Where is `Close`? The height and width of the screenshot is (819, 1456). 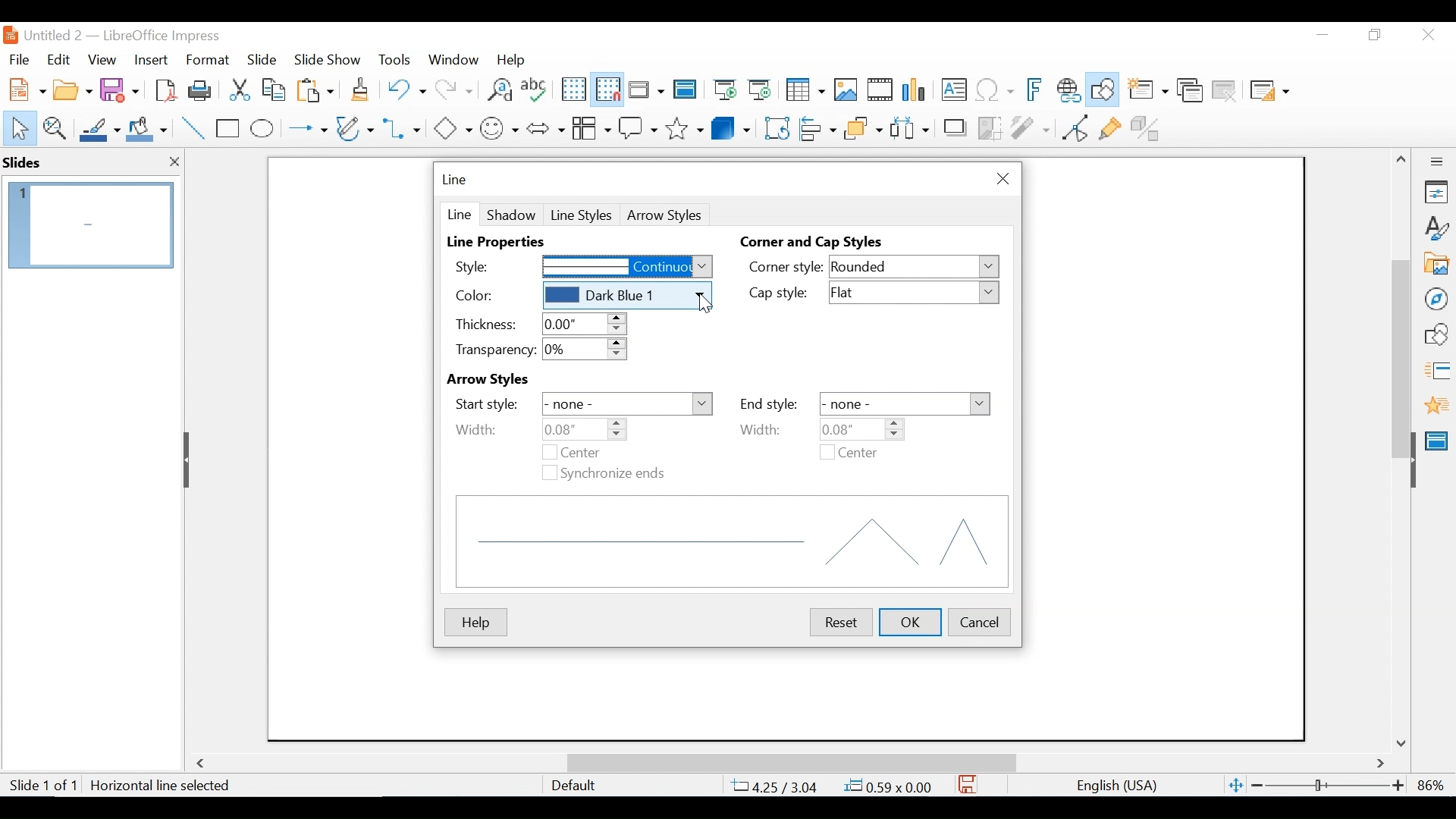
Close is located at coordinates (1426, 36).